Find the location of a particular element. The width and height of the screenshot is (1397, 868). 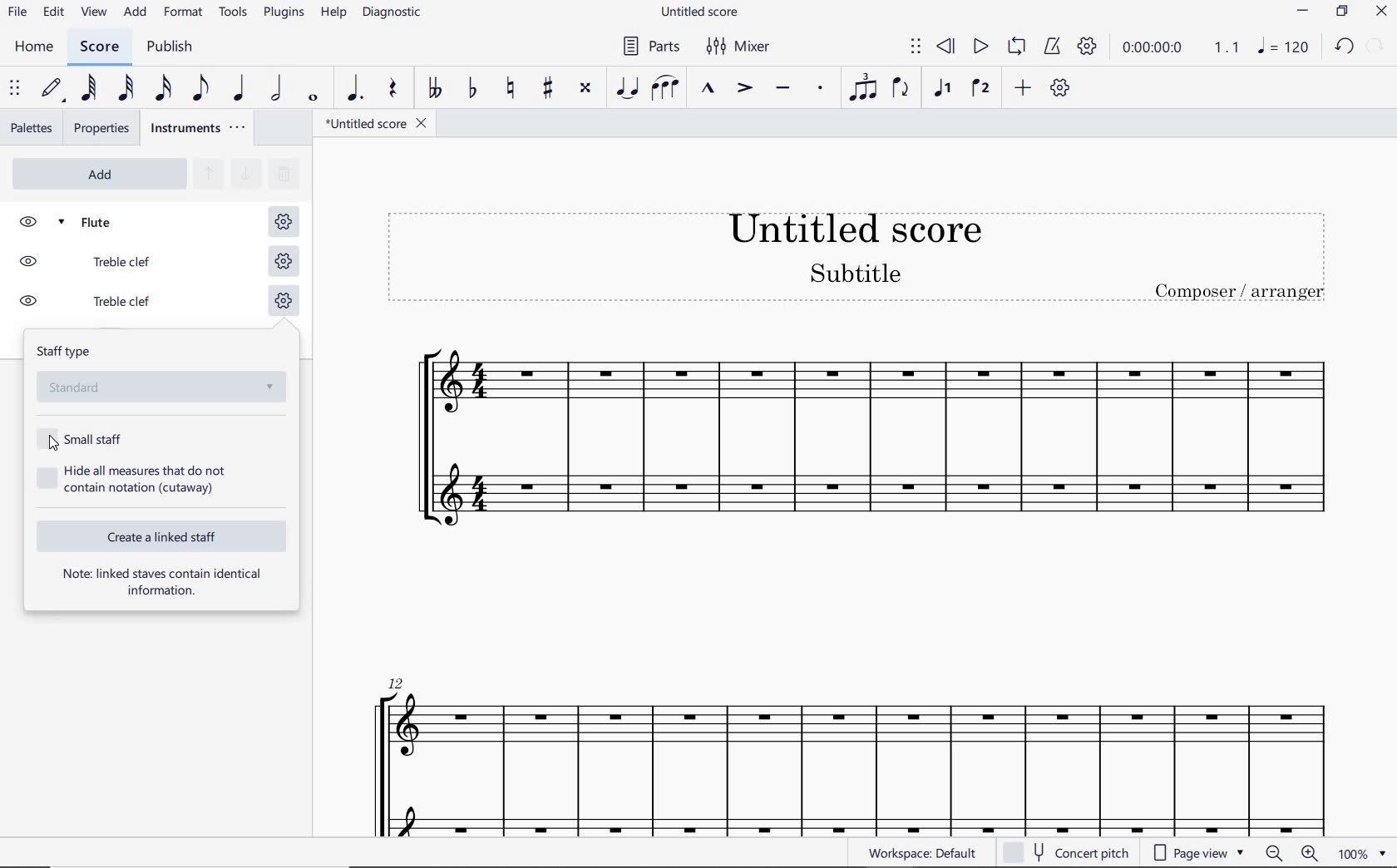

32ND NOTE is located at coordinates (126, 89).